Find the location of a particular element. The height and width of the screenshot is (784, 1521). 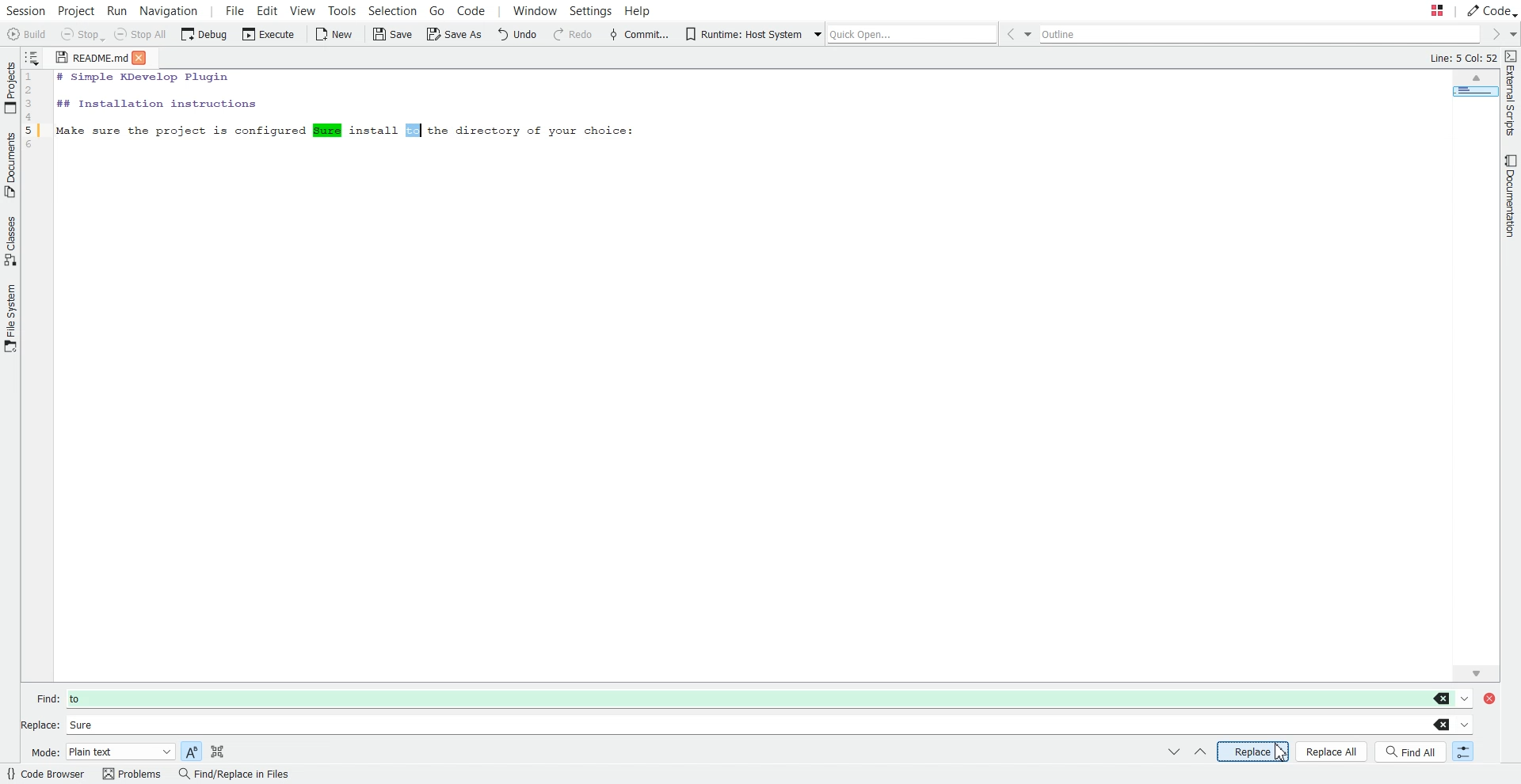

# Simple KDevelop Plugin is located at coordinates (144, 78).